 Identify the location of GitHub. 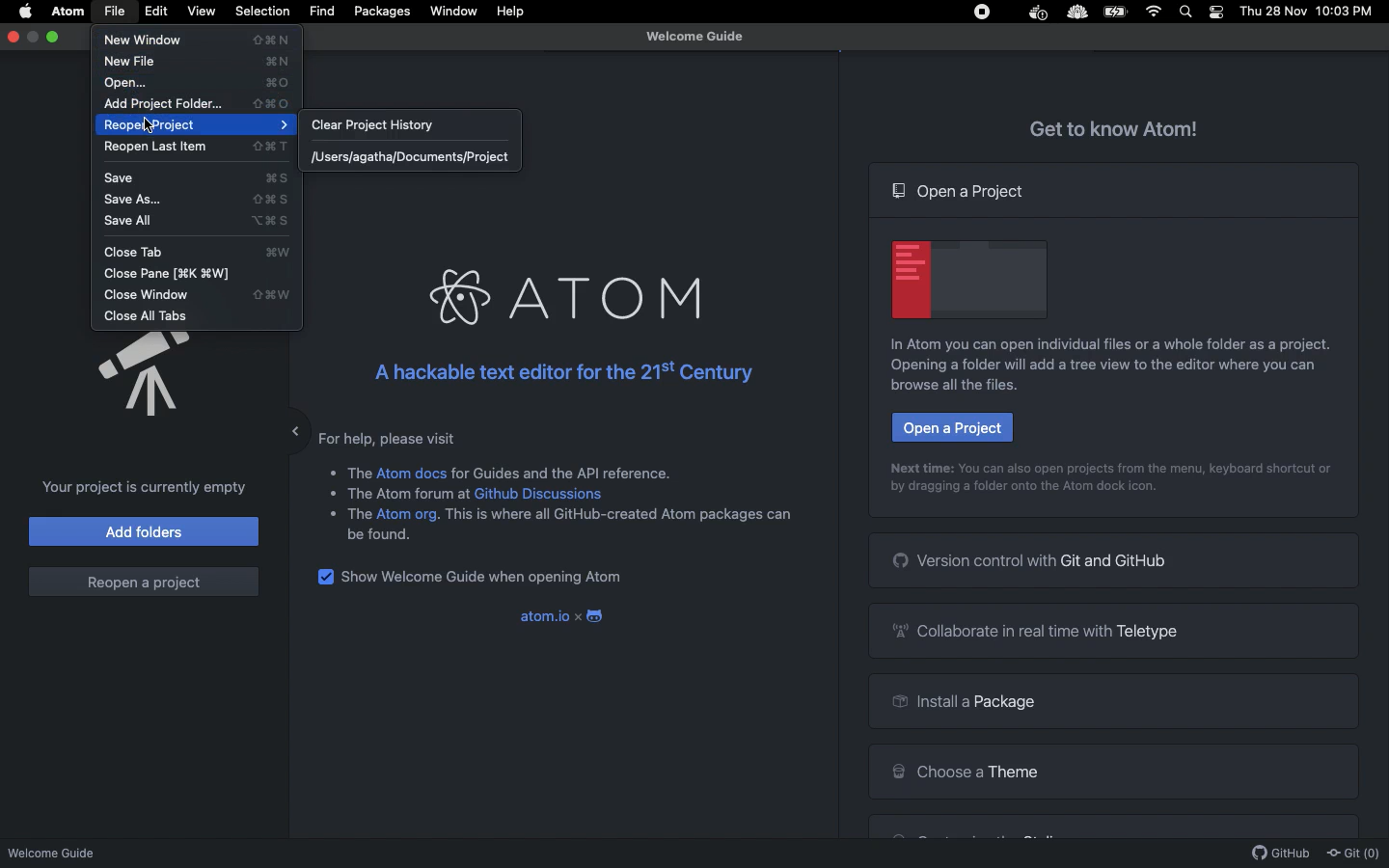
(1281, 854).